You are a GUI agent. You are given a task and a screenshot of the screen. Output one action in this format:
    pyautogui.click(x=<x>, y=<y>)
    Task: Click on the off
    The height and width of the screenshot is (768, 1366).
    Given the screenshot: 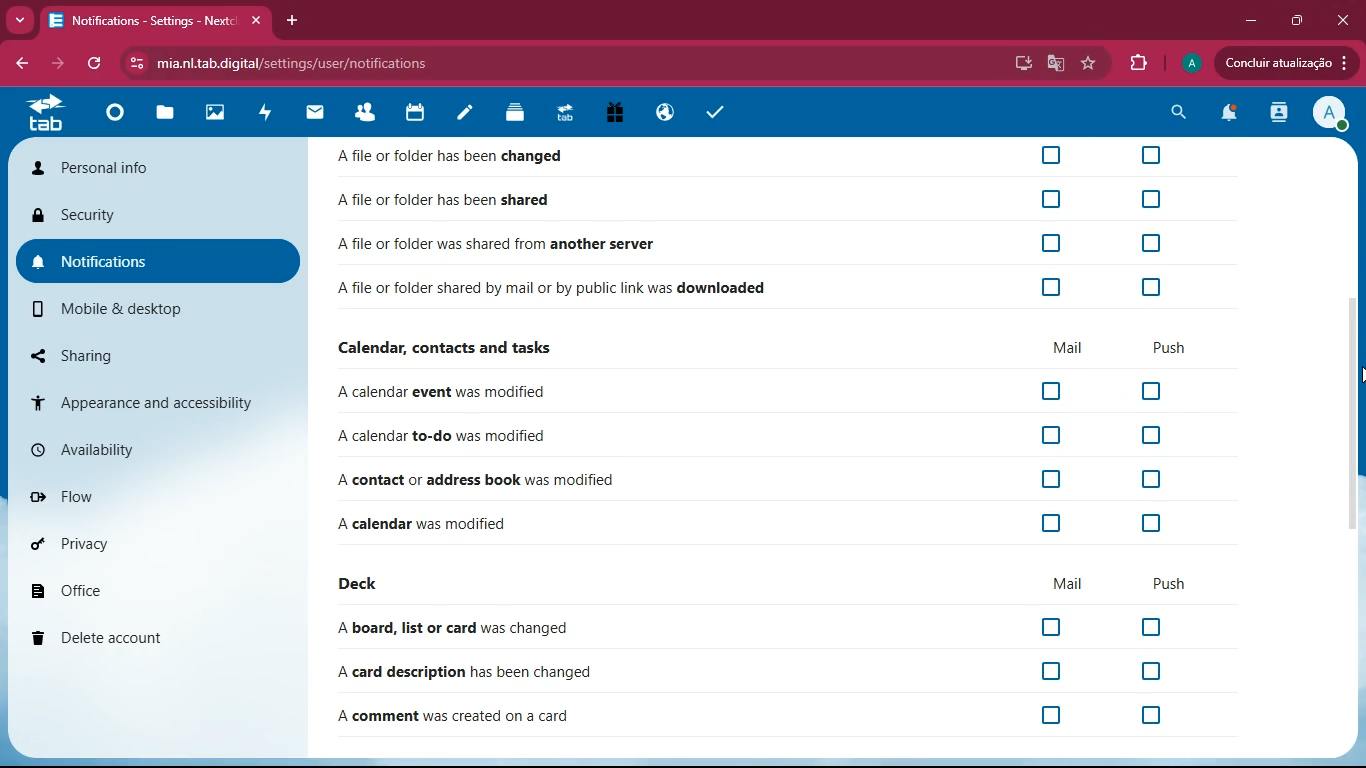 What is the action you would take?
    pyautogui.click(x=1052, y=625)
    